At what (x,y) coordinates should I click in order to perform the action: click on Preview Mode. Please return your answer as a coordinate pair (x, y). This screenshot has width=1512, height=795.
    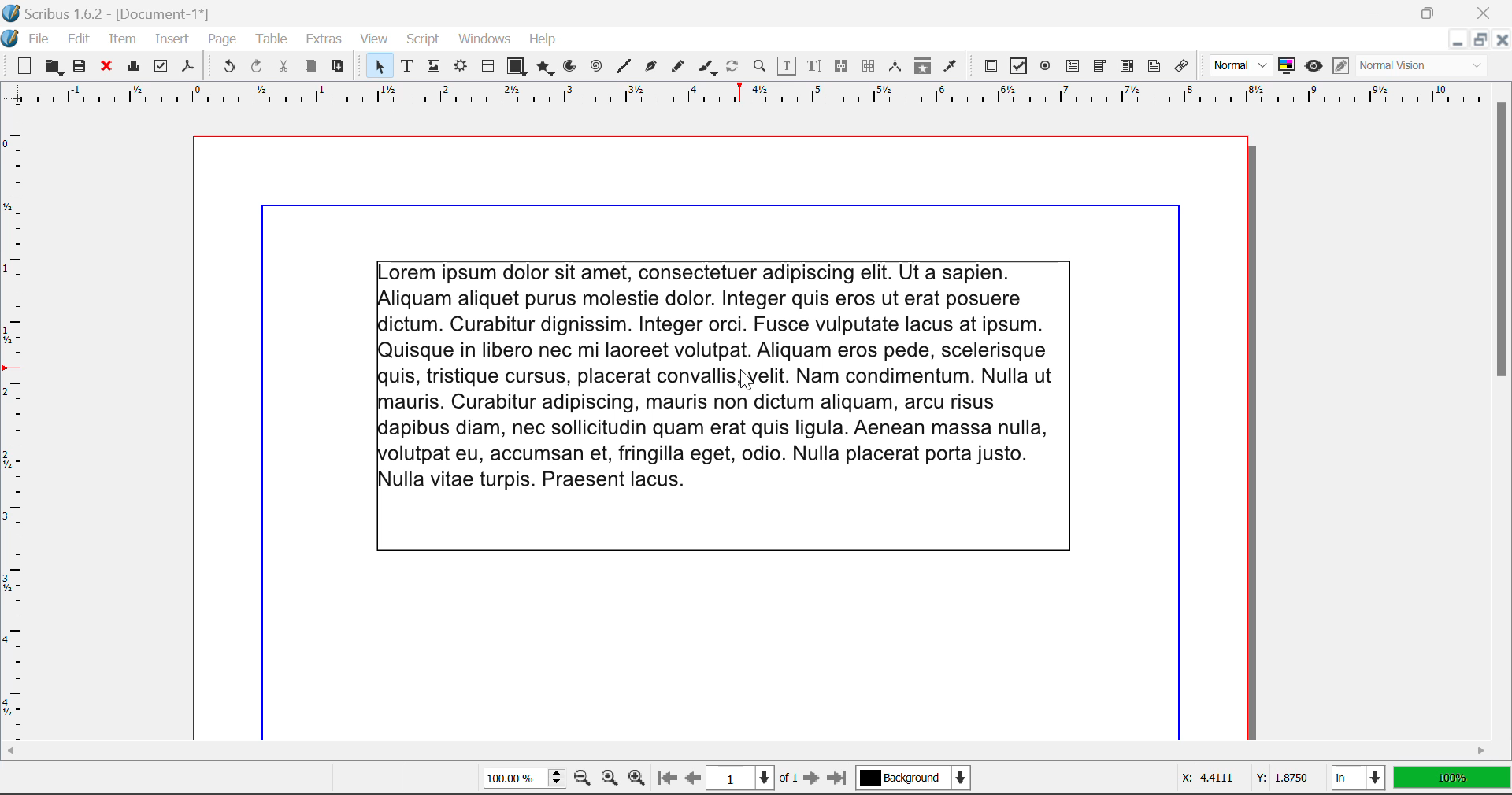
    Looking at the image, I should click on (1241, 65).